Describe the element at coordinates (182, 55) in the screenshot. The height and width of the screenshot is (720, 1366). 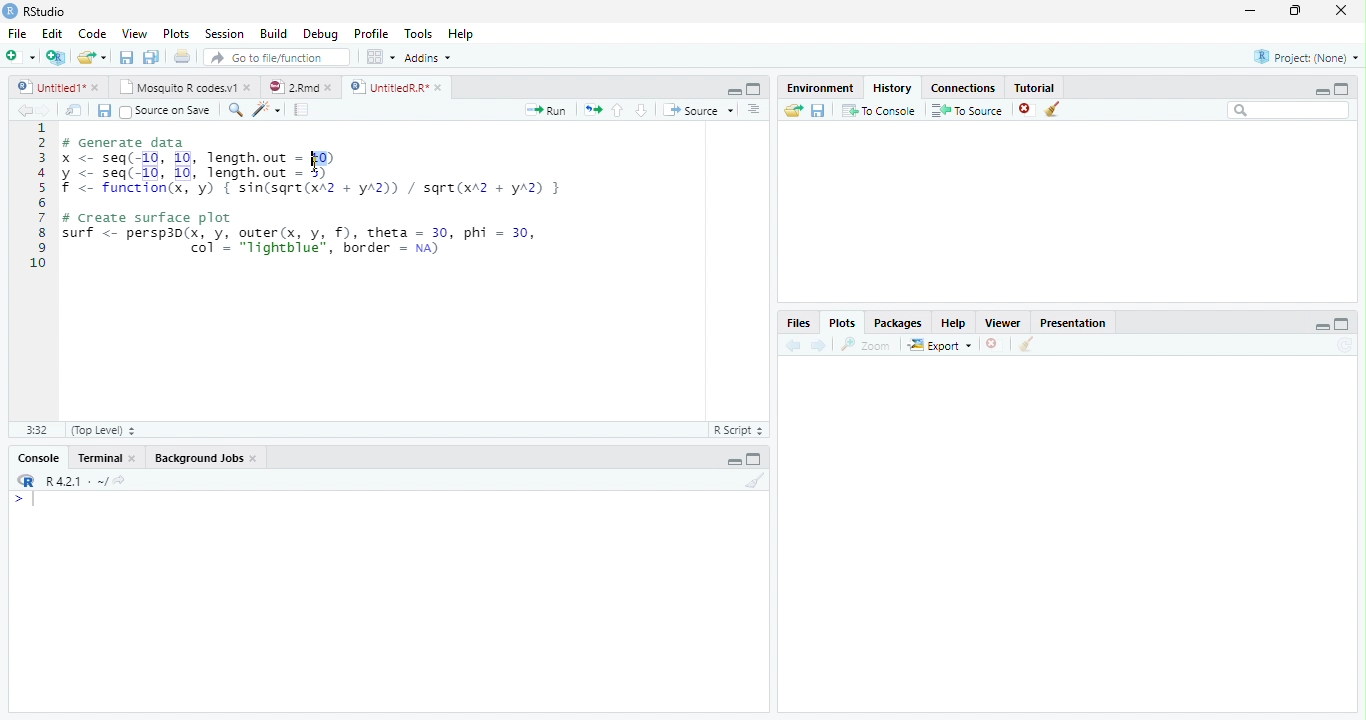
I see `Print the current file` at that location.